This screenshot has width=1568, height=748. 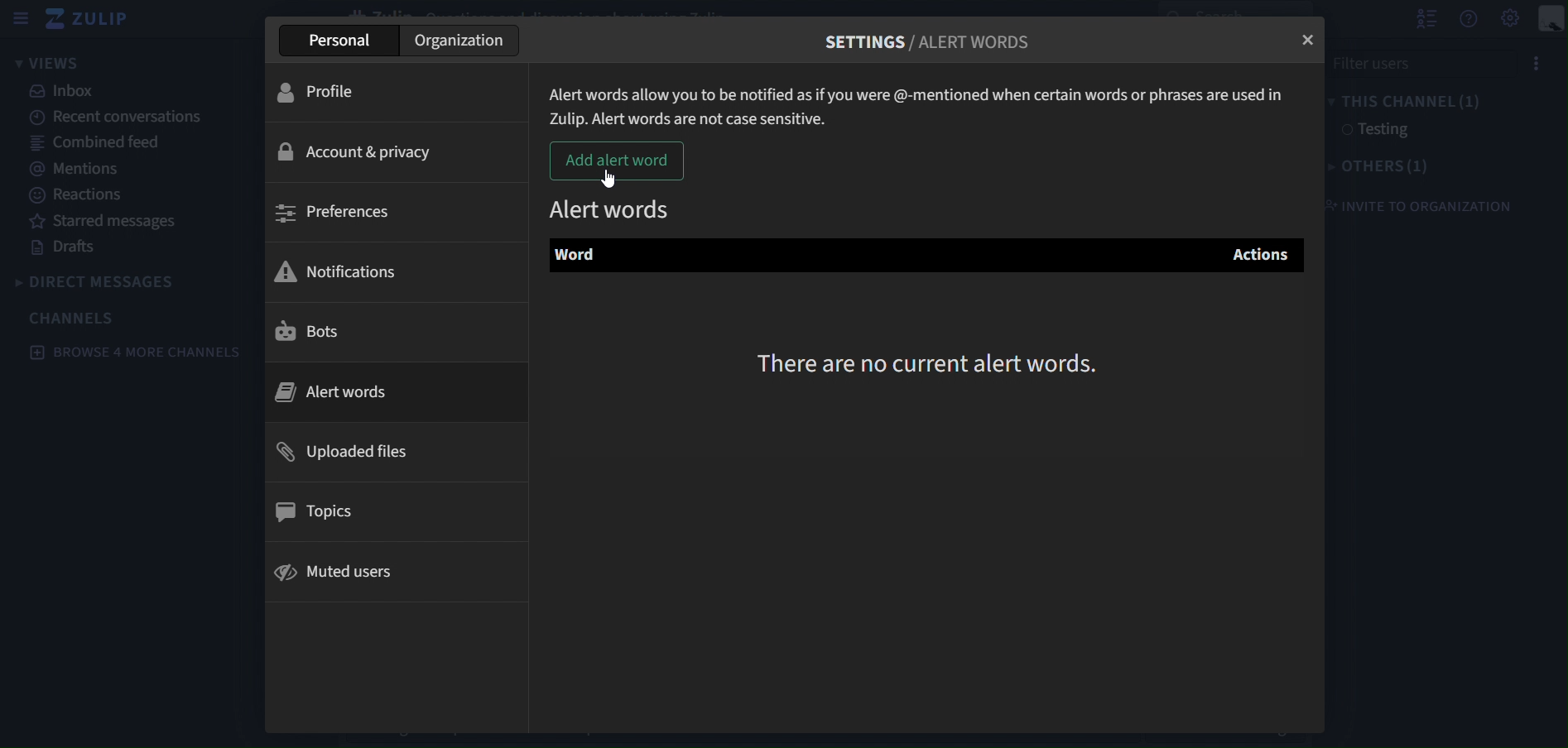 I want to click on There are no current alert words, so click(x=935, y=362).